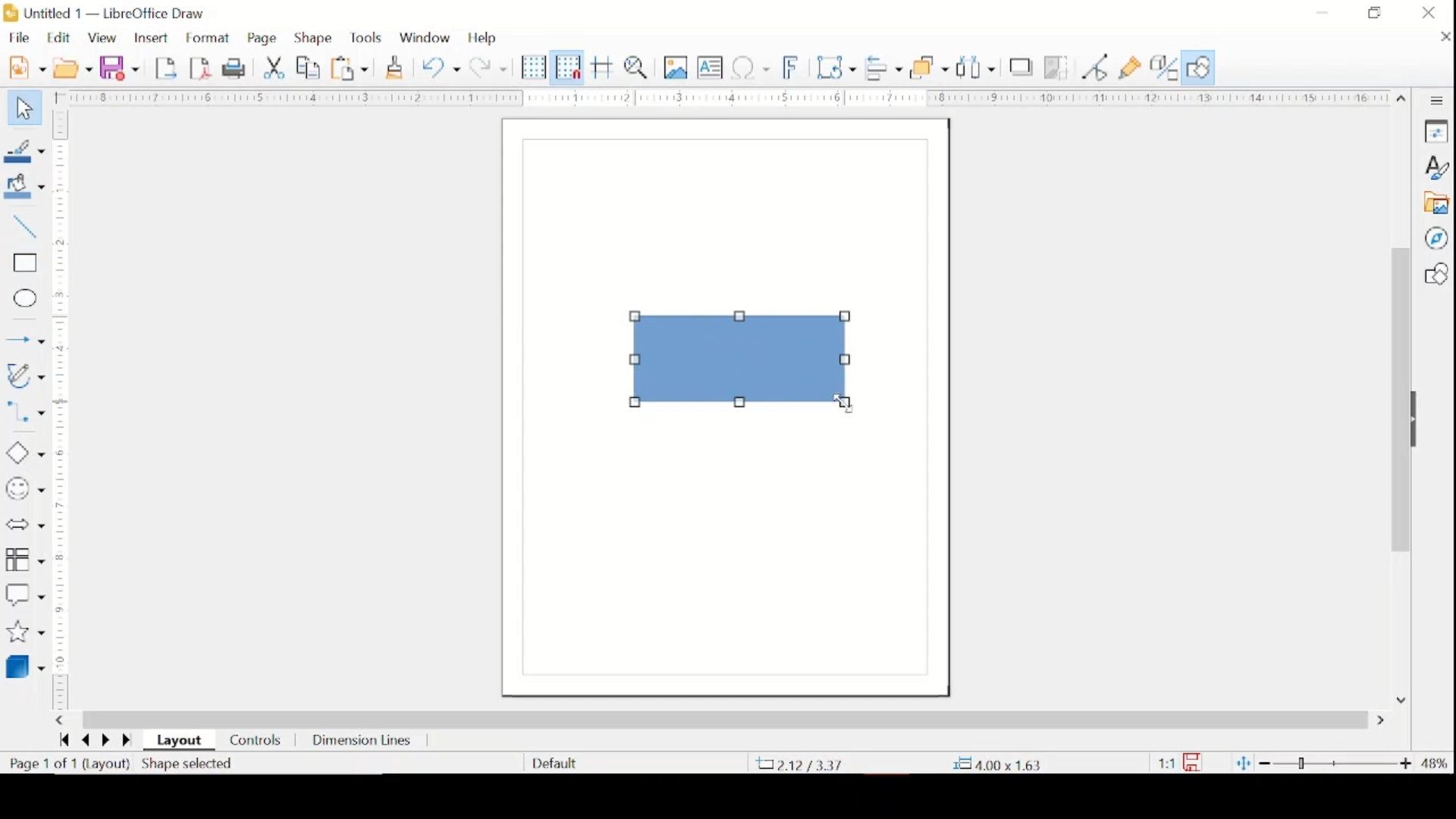  What do you see at coordinates (1374, 12) in the screenshot?
I see `restore down` at bounding box center [1374, 12].